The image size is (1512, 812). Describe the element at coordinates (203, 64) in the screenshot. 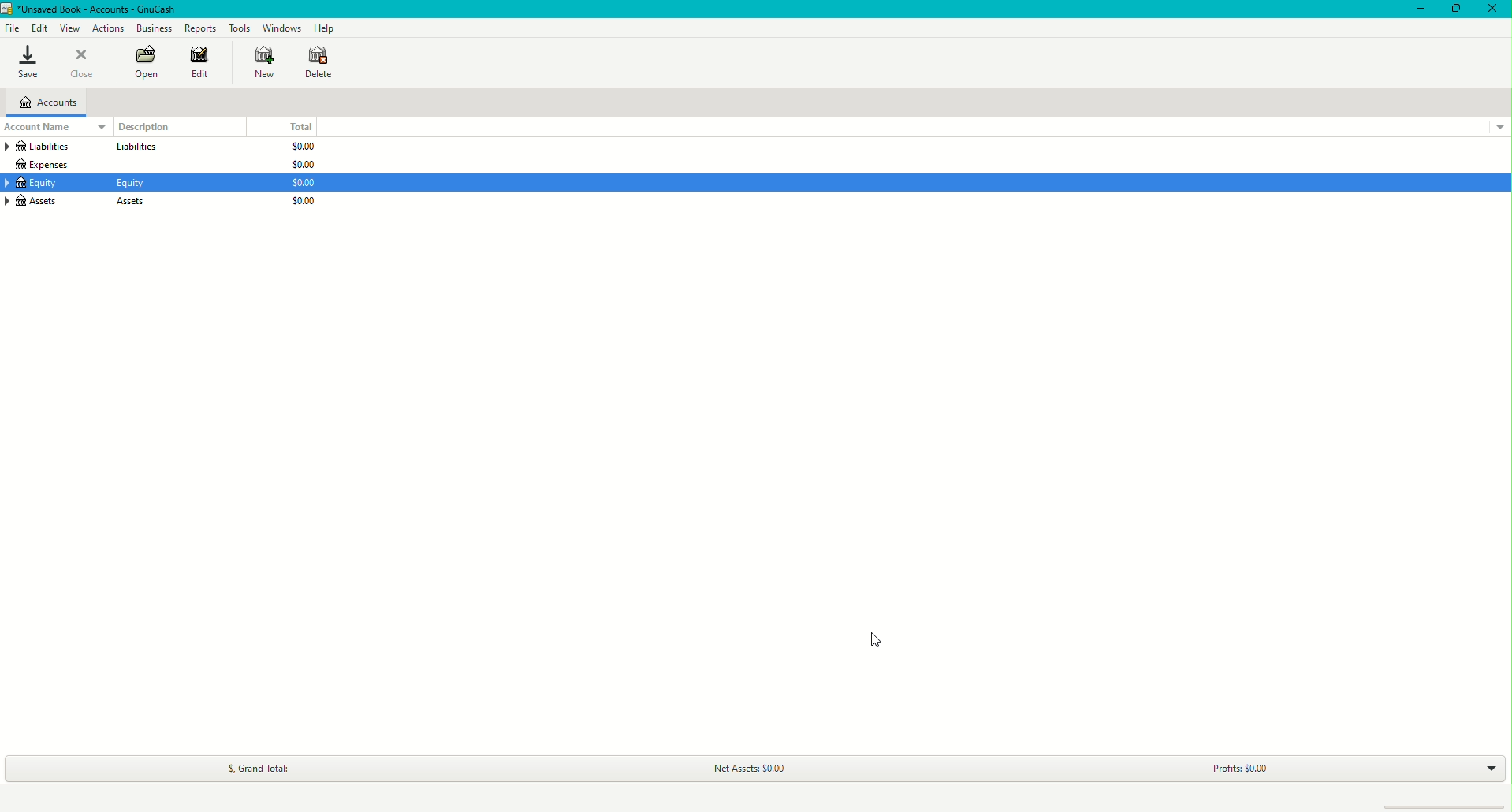

I see `Edit` at that location.